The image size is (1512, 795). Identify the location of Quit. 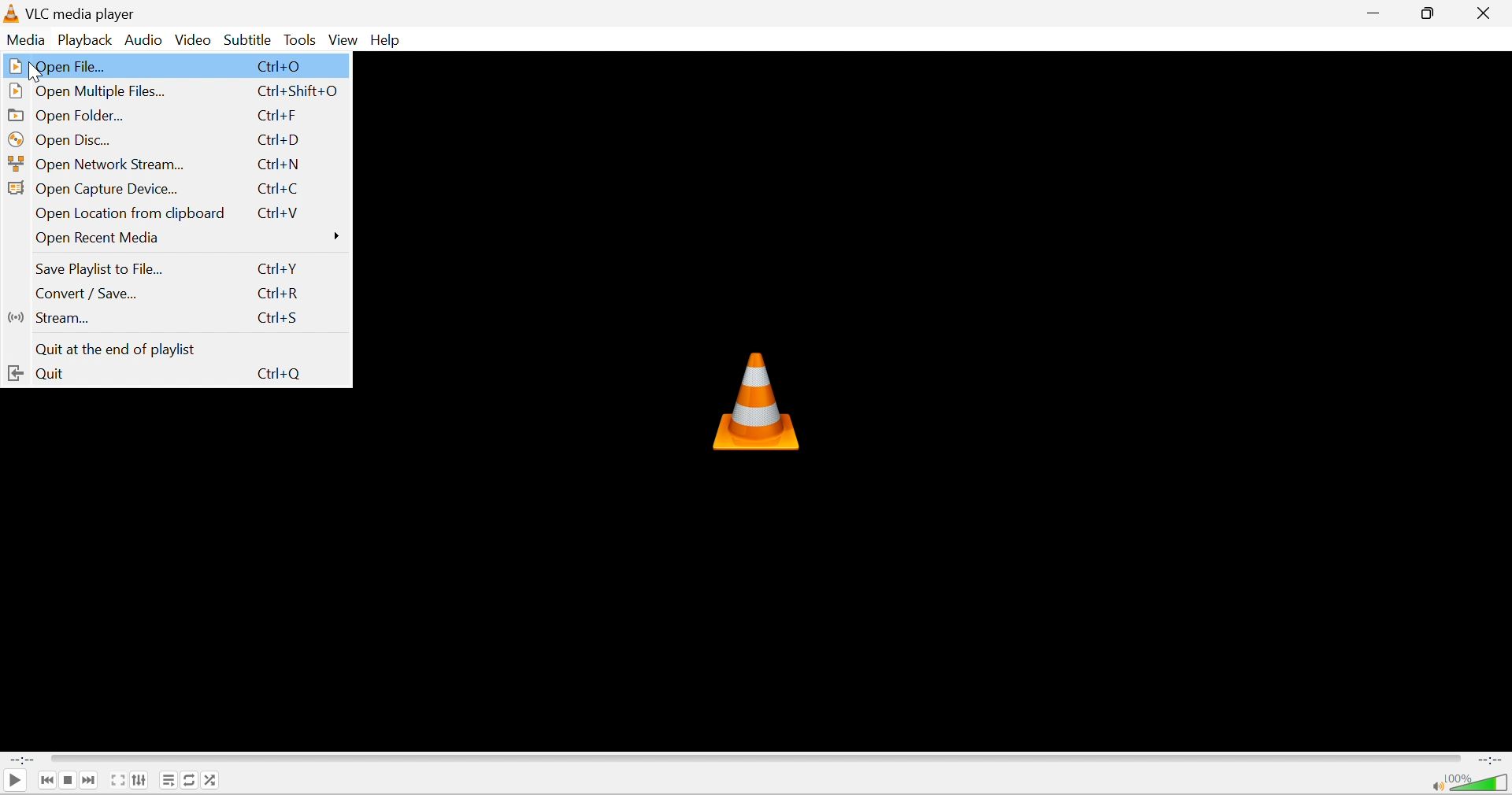
(36, 373).